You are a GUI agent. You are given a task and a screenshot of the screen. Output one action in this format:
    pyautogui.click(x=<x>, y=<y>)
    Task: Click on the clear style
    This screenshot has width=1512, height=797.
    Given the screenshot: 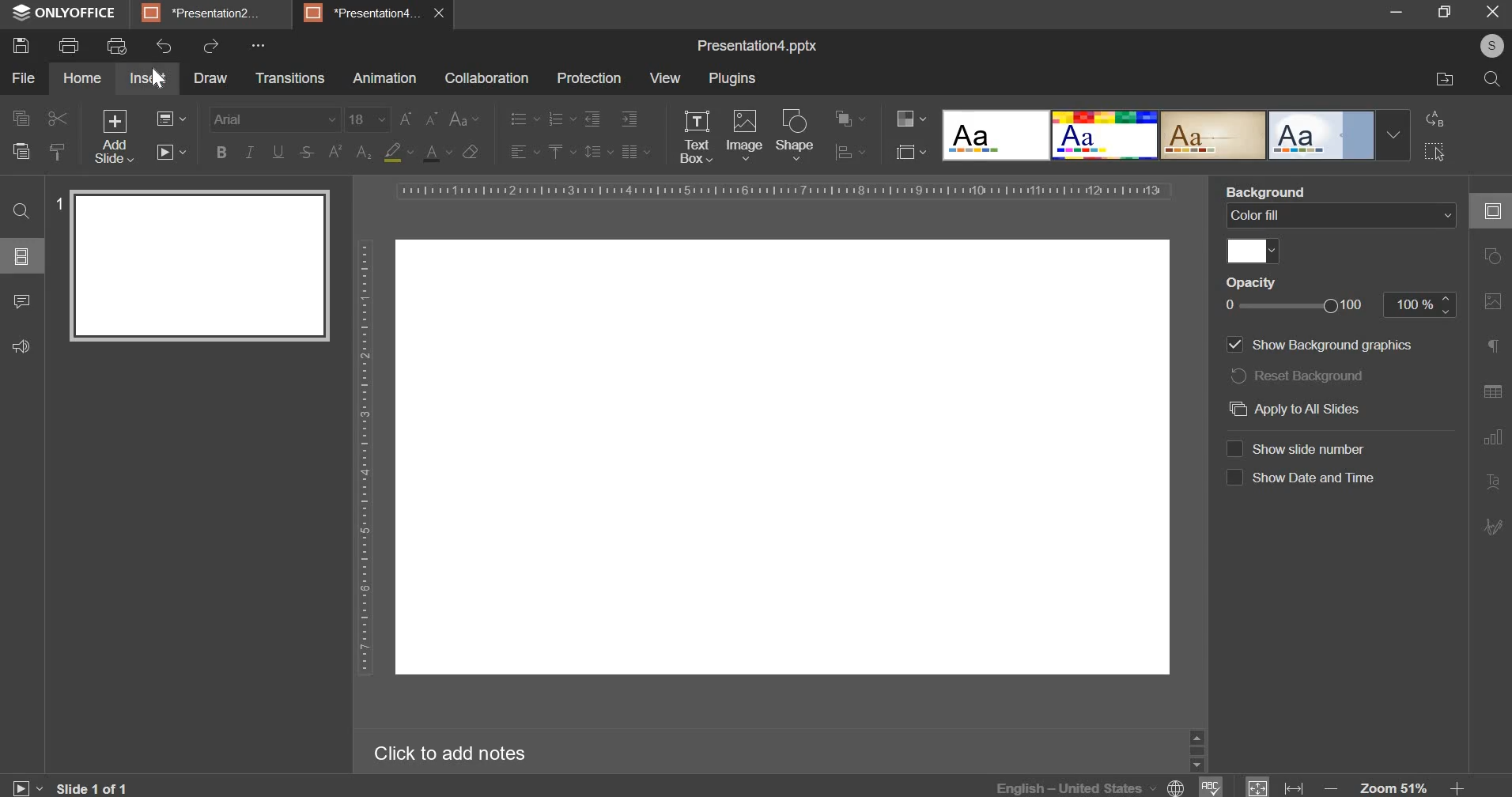 What is the action you would take?
    pyautogui.click(x=471, y=151)
    